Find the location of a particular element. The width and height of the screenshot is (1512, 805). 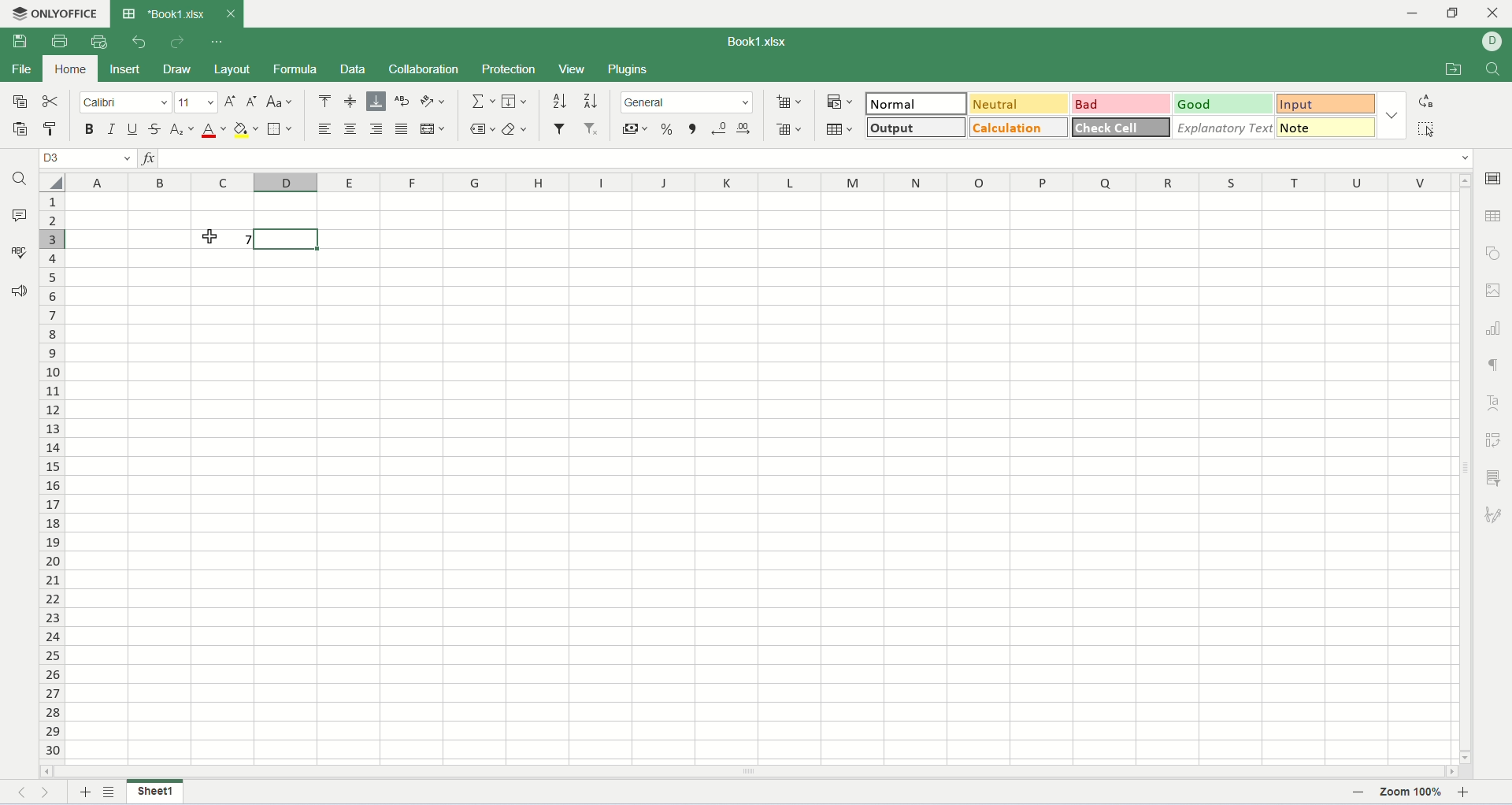

align right is located at coordinates (376, 129).